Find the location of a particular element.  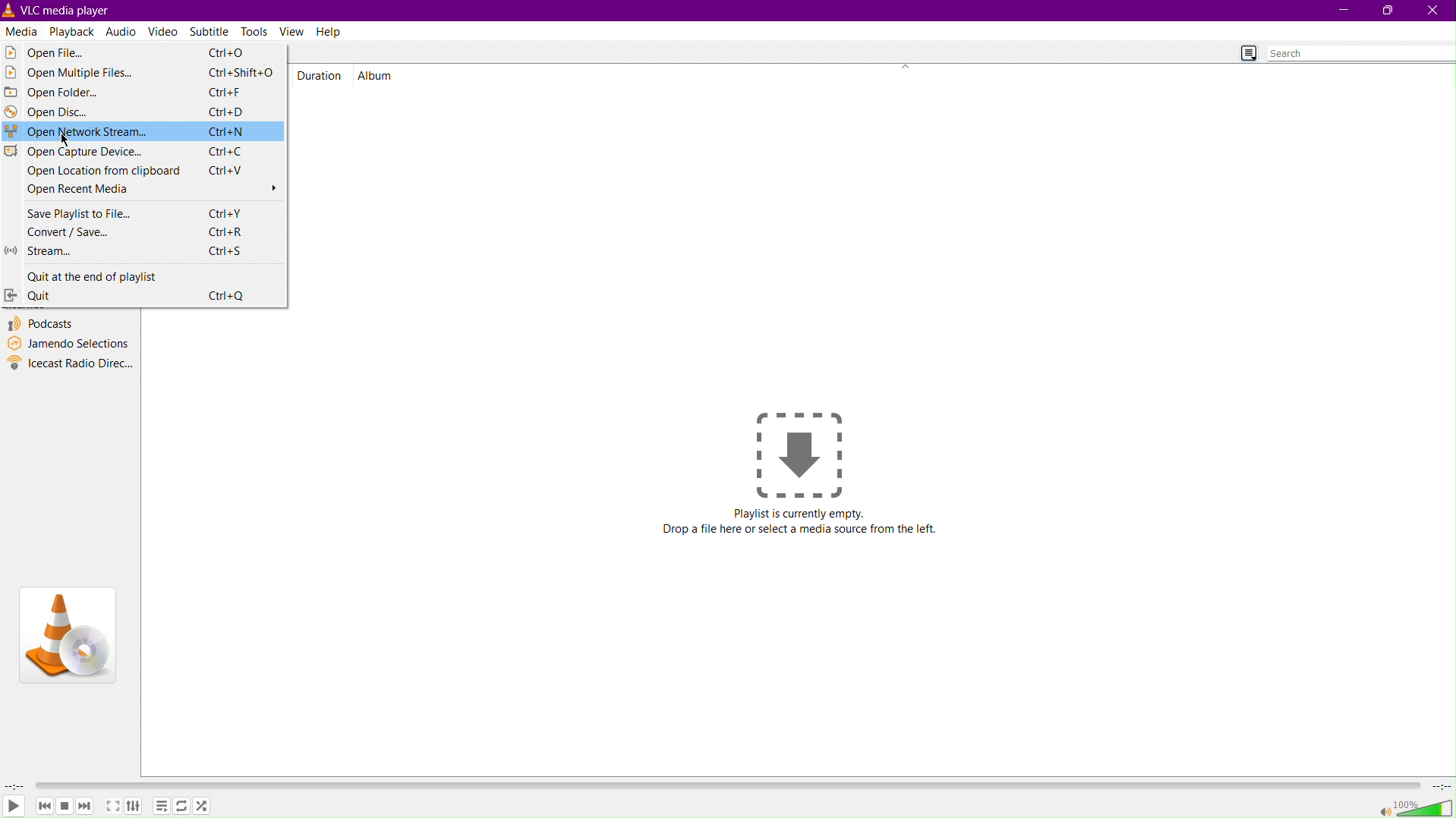

Skip Forward is located at coordinates (88, 809).